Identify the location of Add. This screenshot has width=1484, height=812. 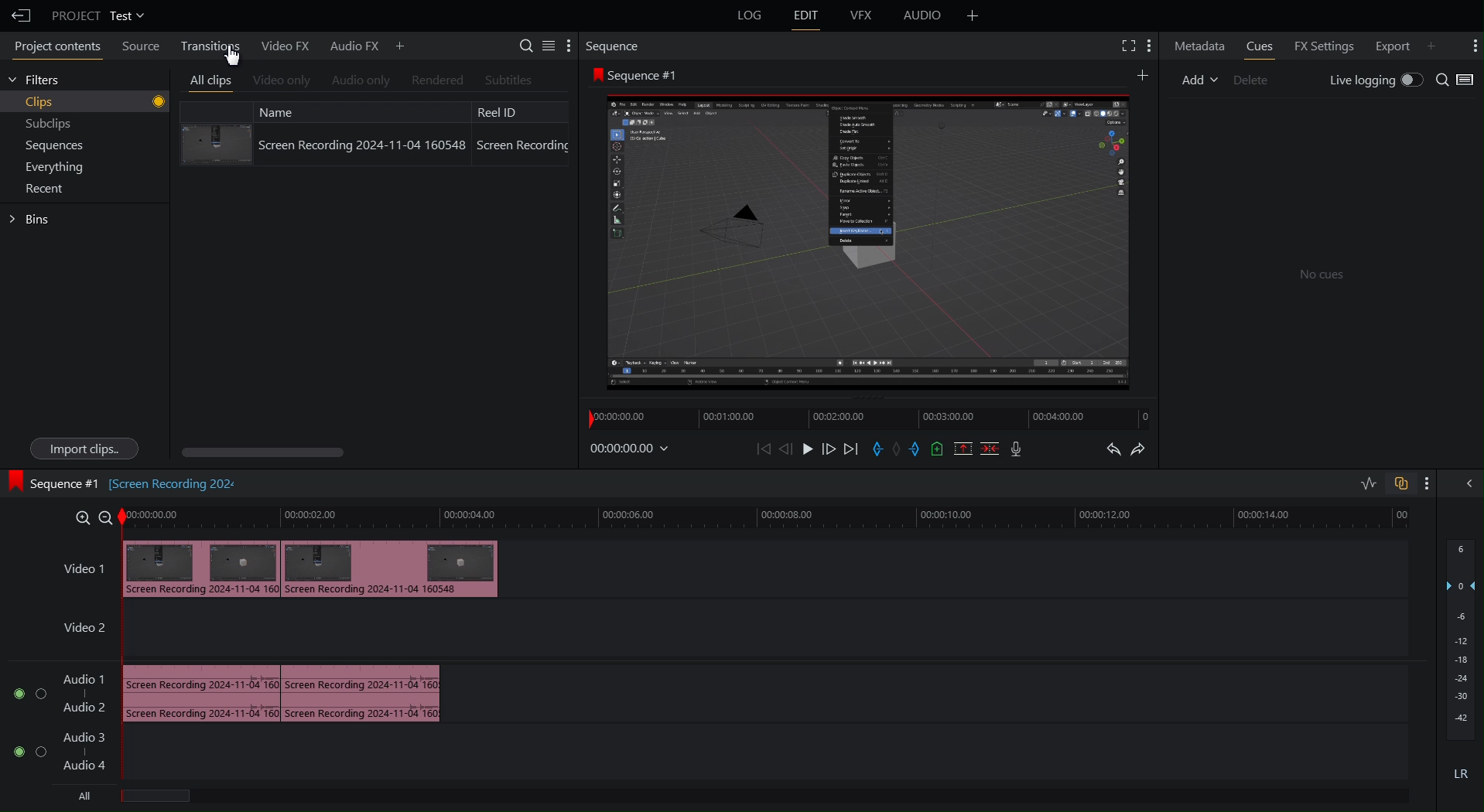
(973, 15).